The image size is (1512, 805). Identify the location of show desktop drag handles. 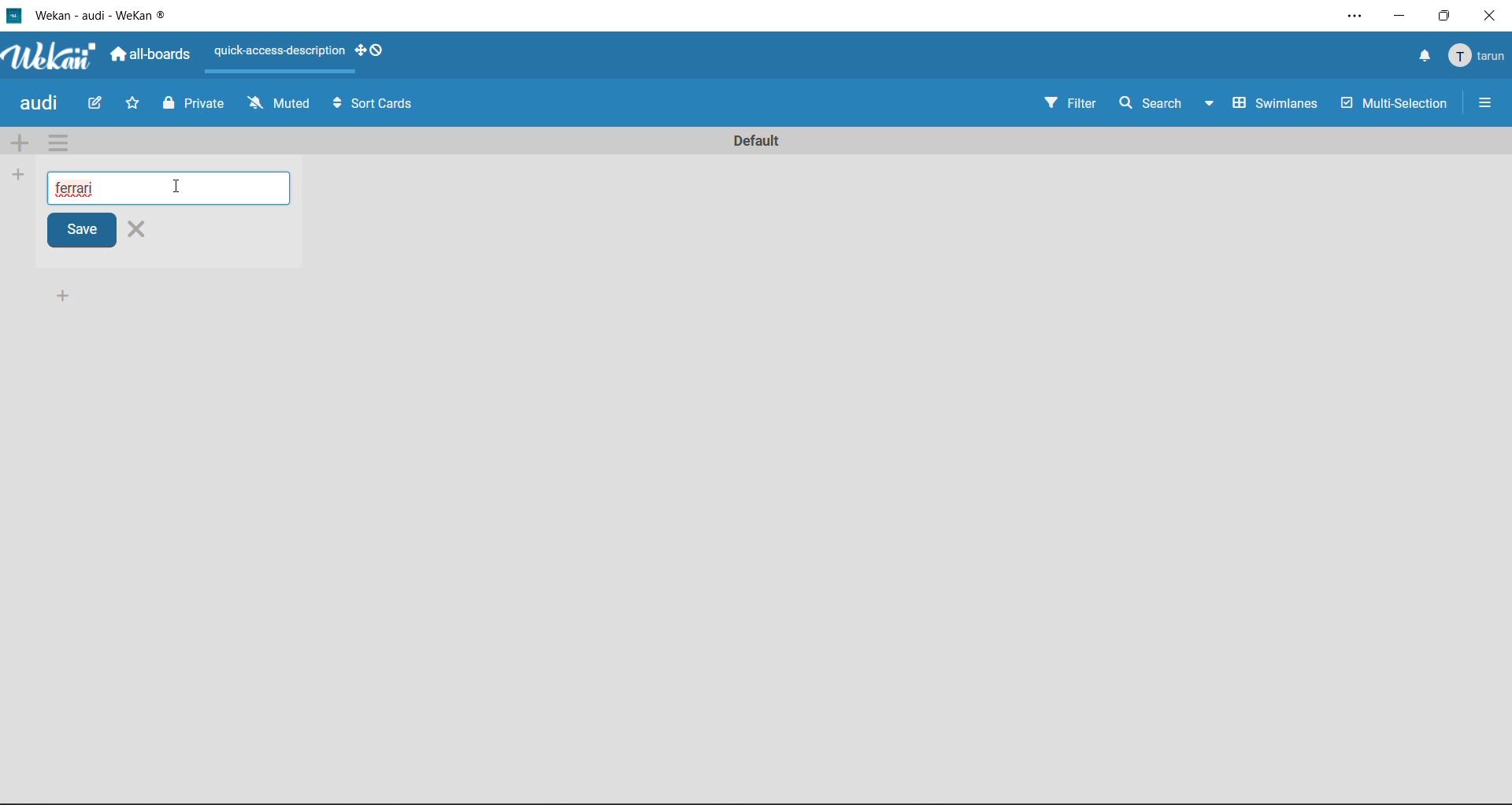
(373, 54).